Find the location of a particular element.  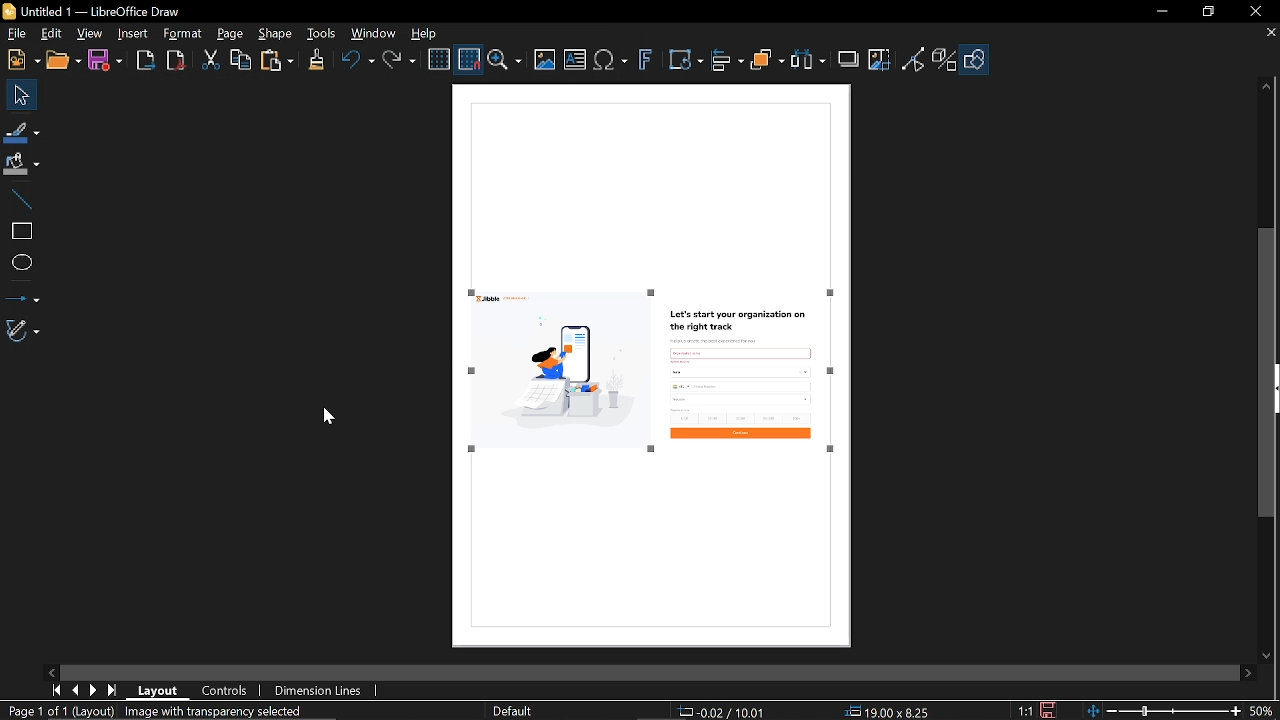

Zoom is located at coordinates (1182, 711).